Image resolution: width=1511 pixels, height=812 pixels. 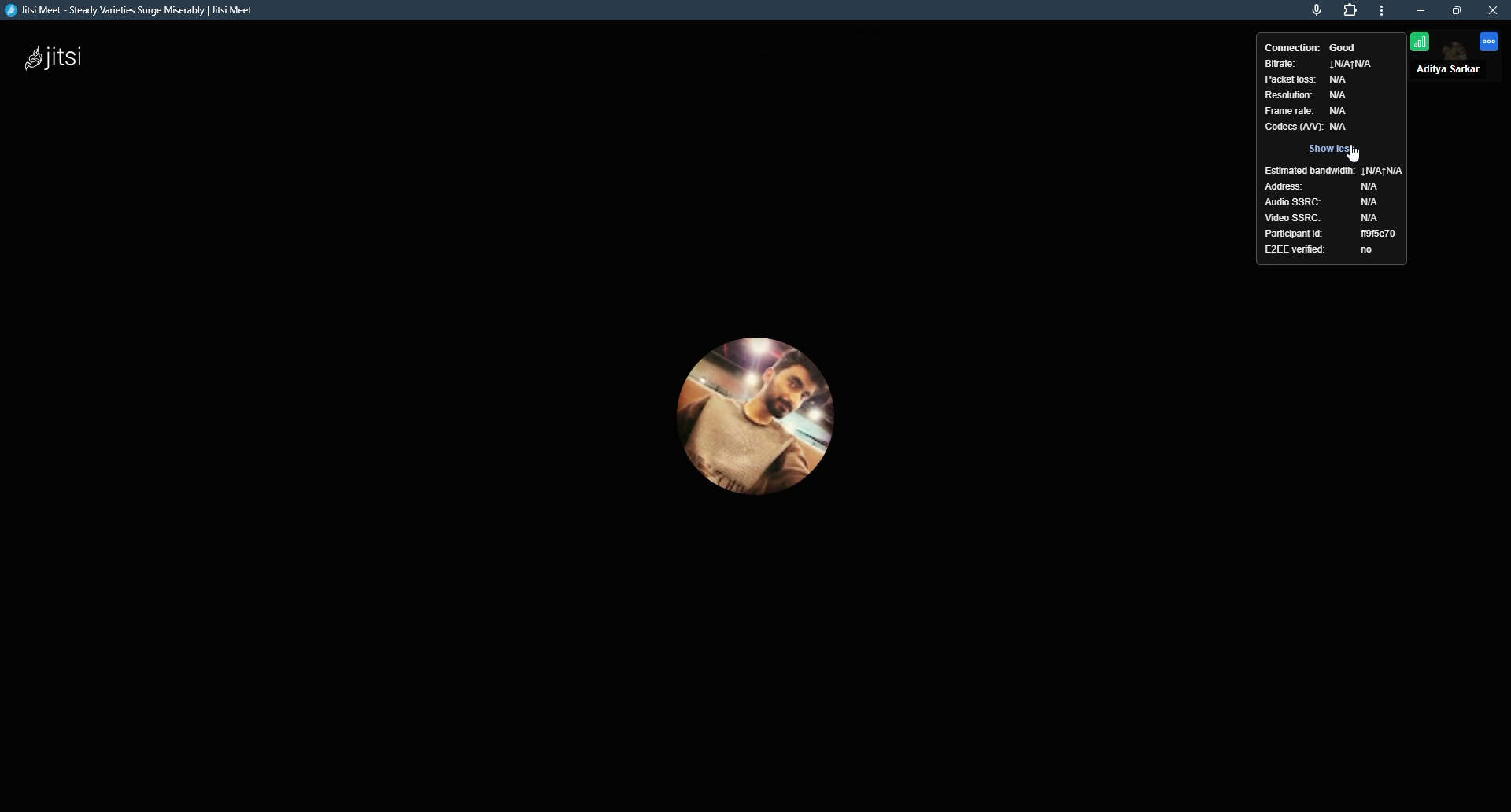 I want to click on frame rate, so click(x=1288, y=111).